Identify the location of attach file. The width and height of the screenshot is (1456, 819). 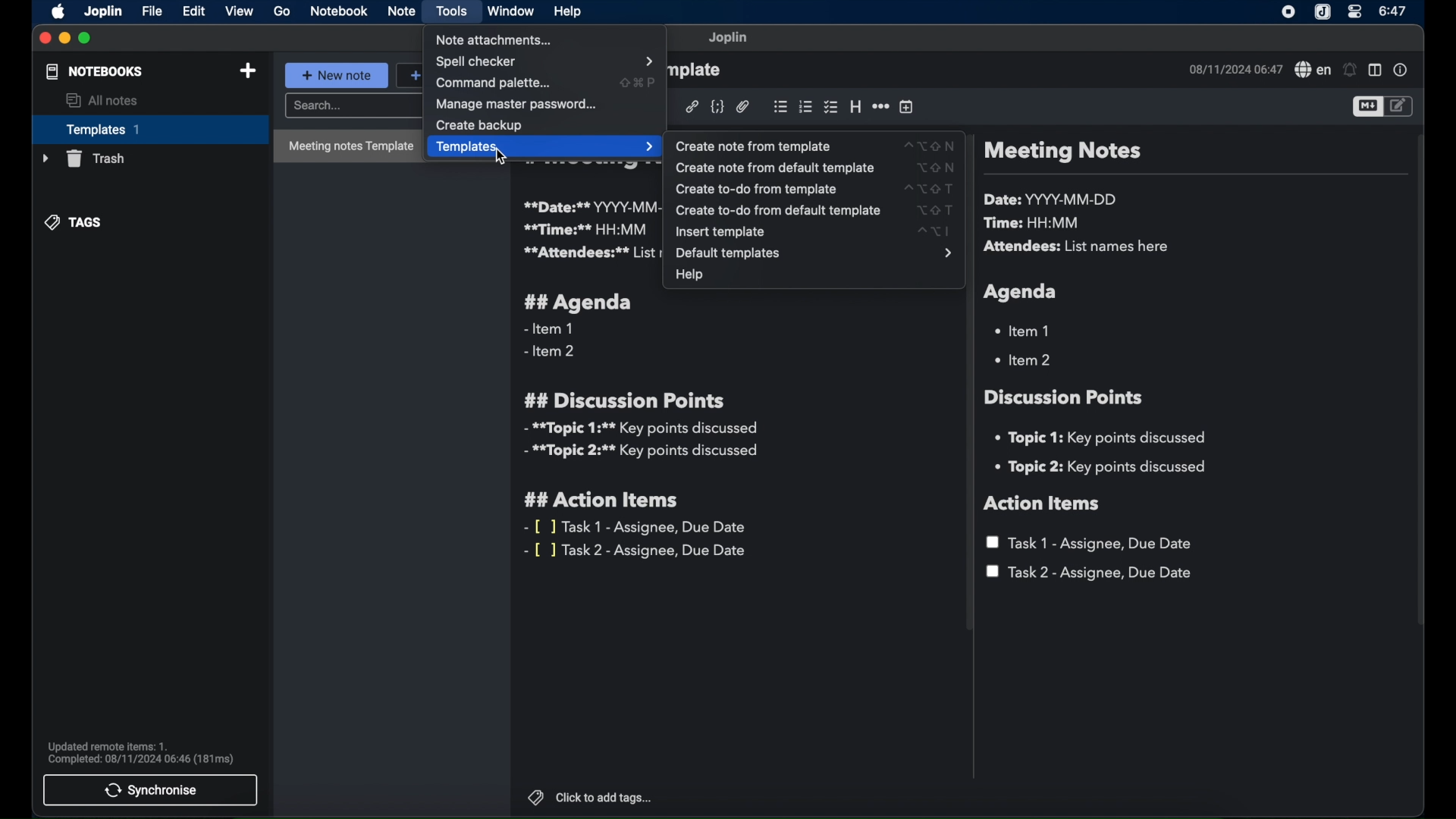
(743, 107).